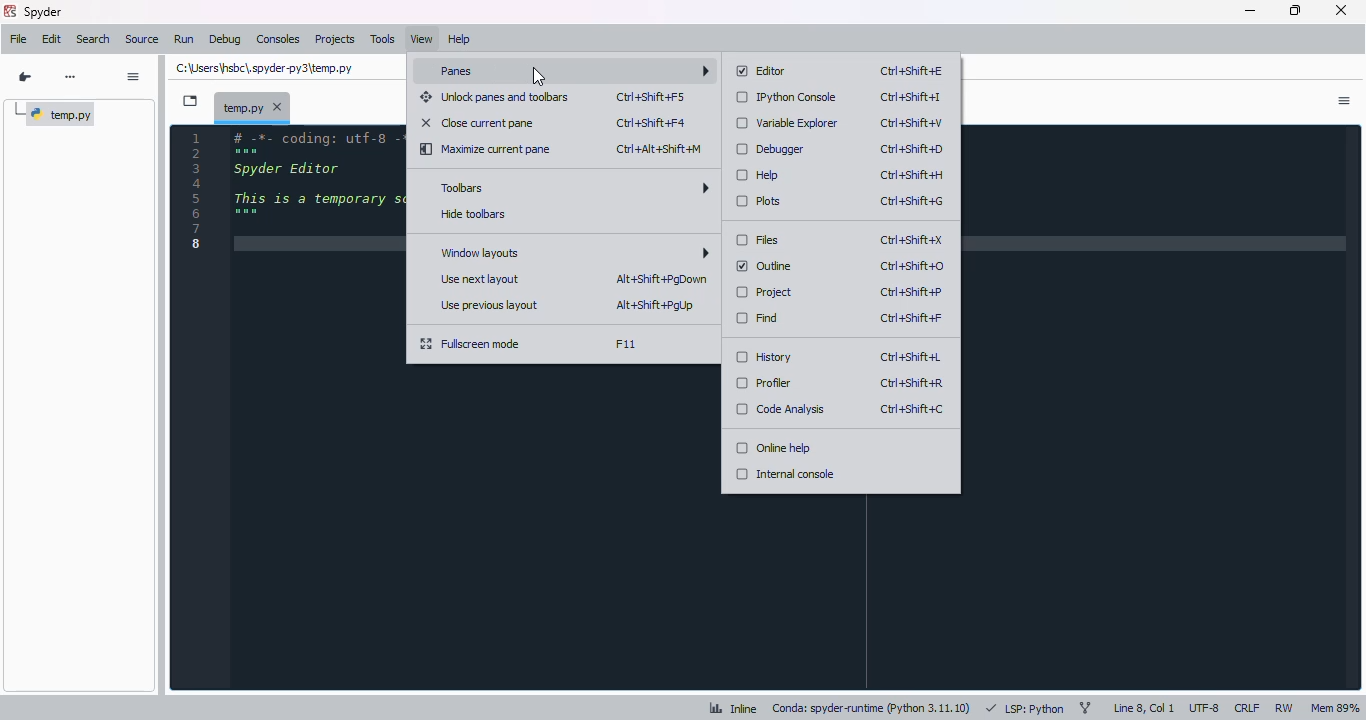 This screenshot has height=720, width=1366. What do you see at coordinates (79, 415) in the screenshot?
I see `outline explorer panel` at bounding box center [79, 415].